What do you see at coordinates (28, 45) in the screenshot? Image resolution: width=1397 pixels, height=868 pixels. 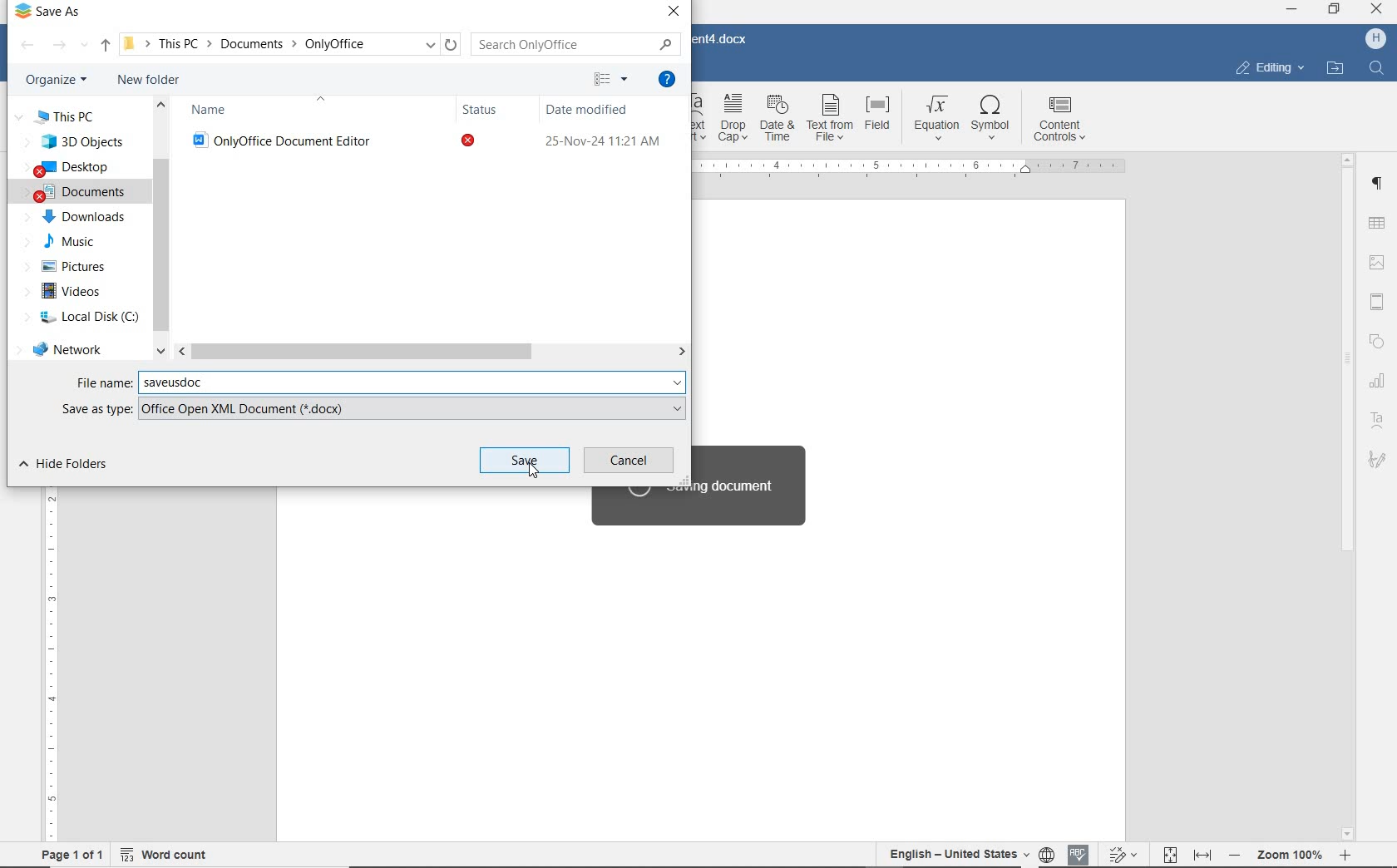 I see `backward` at bounding box center [28, 45].